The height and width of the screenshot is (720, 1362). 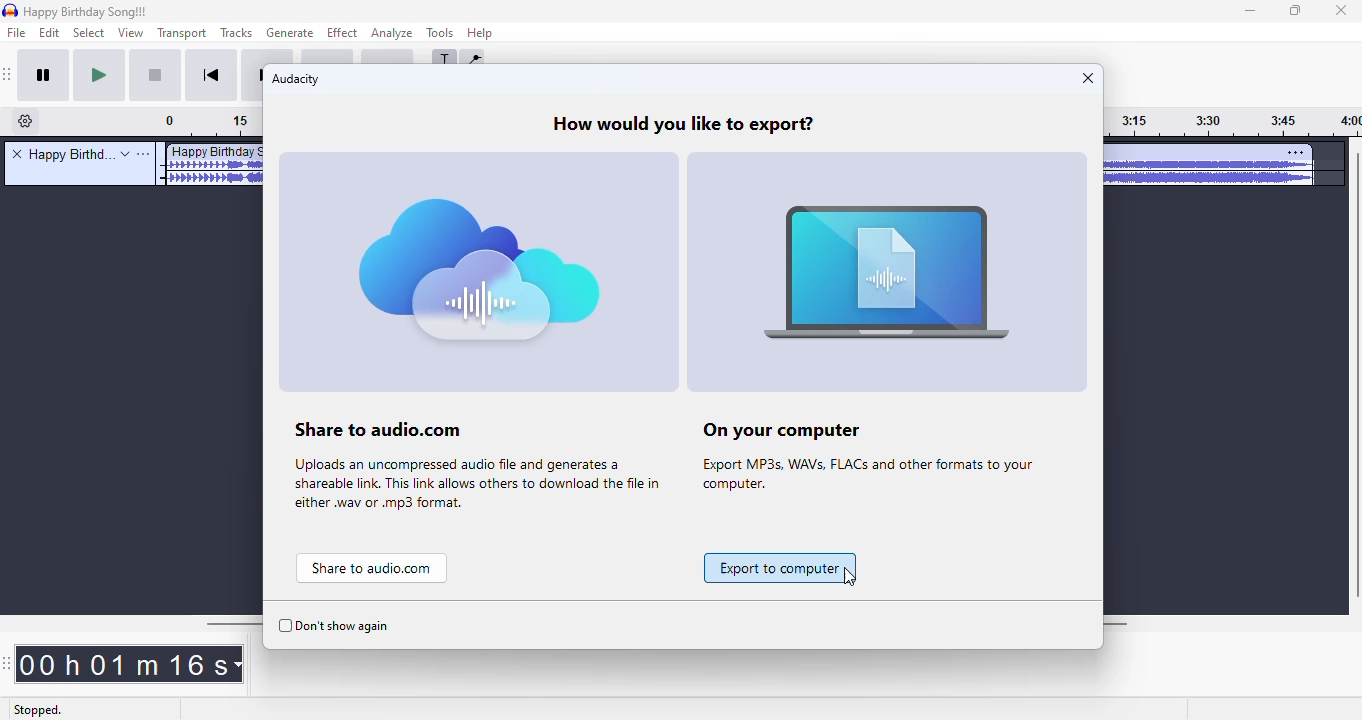 I want to click on don't show again, so click(x=334, y=627).